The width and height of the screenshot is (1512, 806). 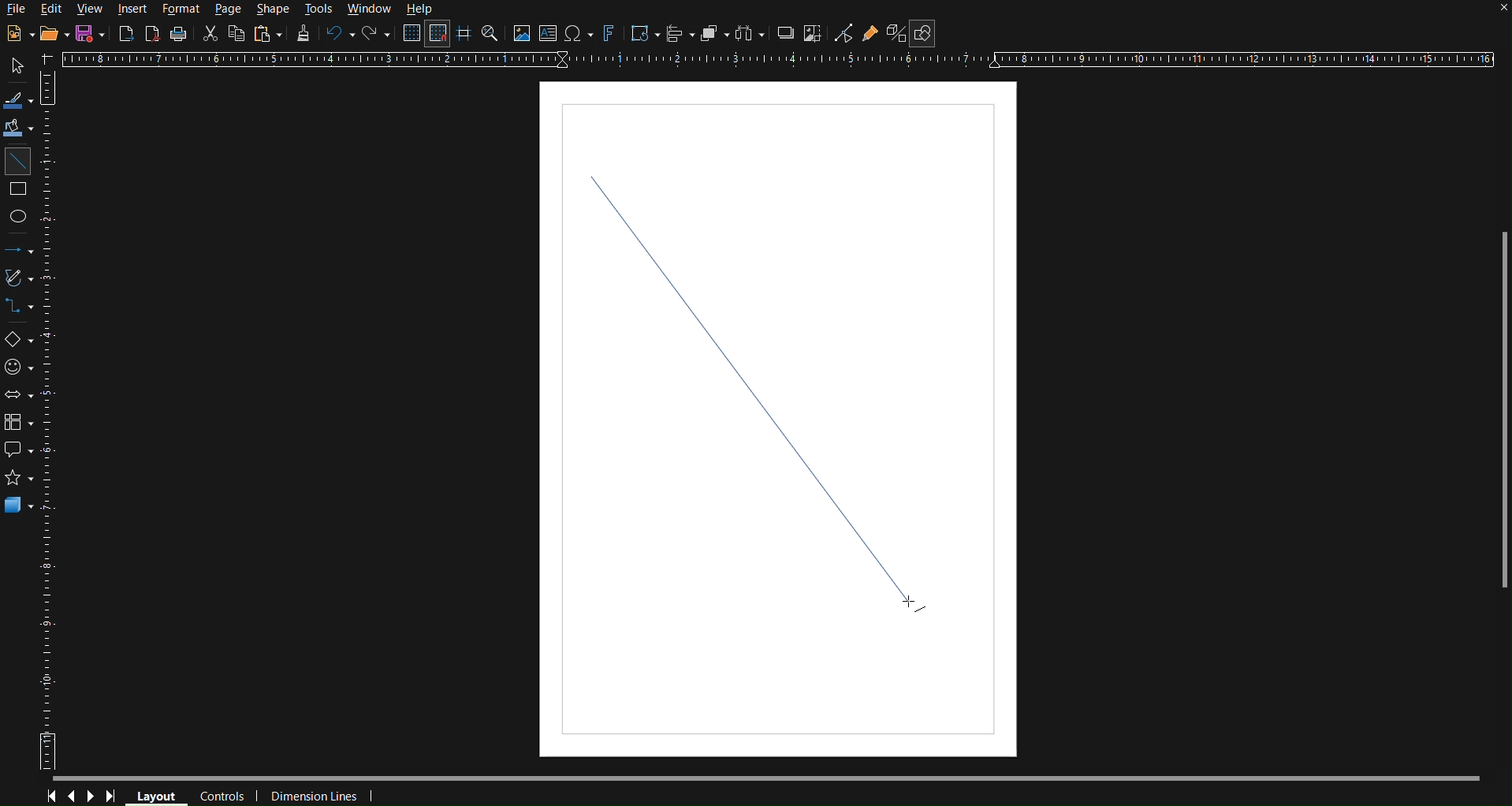 What do you see at coordinates (154, 34) in the screenshot?
I see `Export PDF` at bounding box center [154, 34].